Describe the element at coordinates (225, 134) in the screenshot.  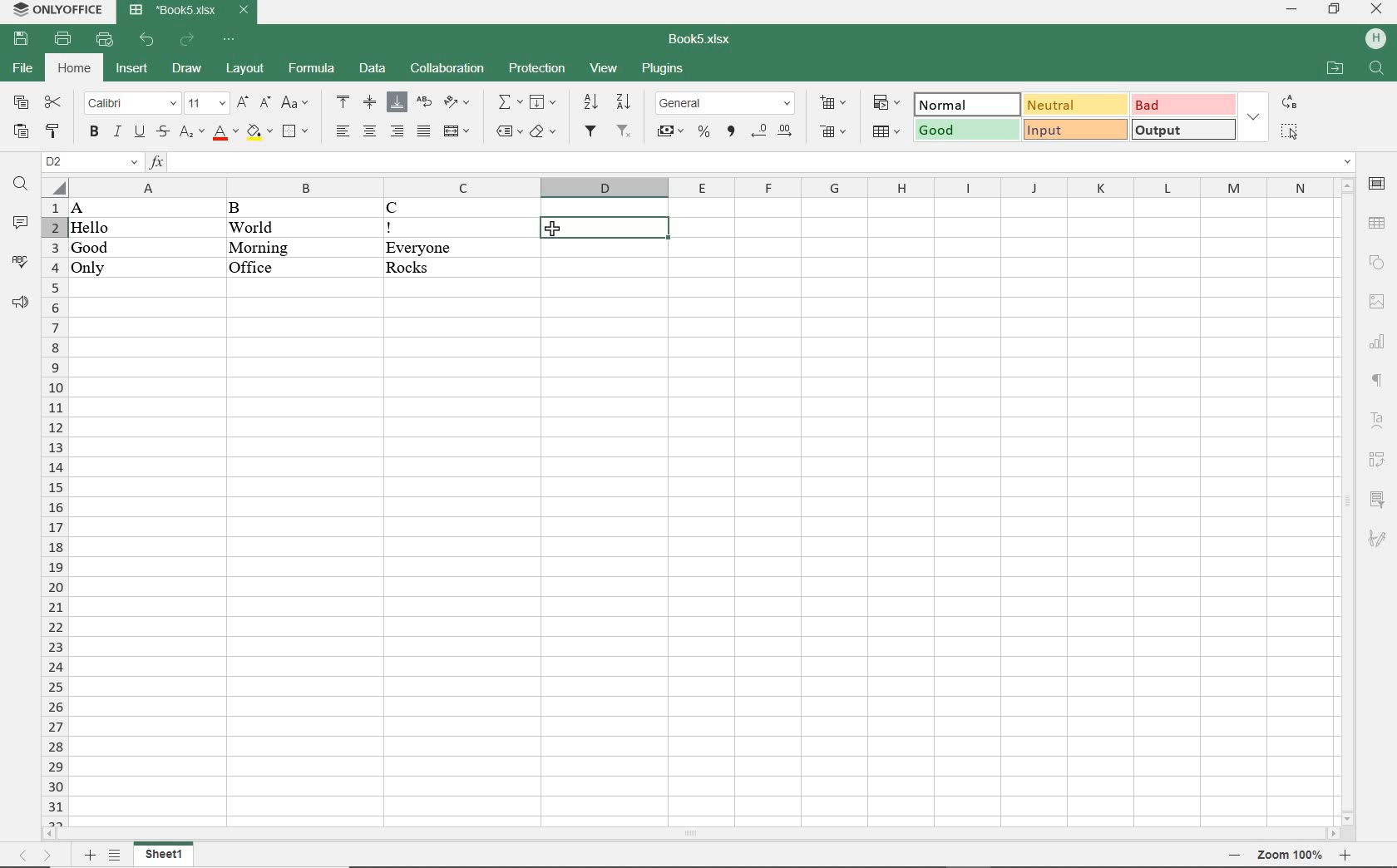
I see `font color` at that location.